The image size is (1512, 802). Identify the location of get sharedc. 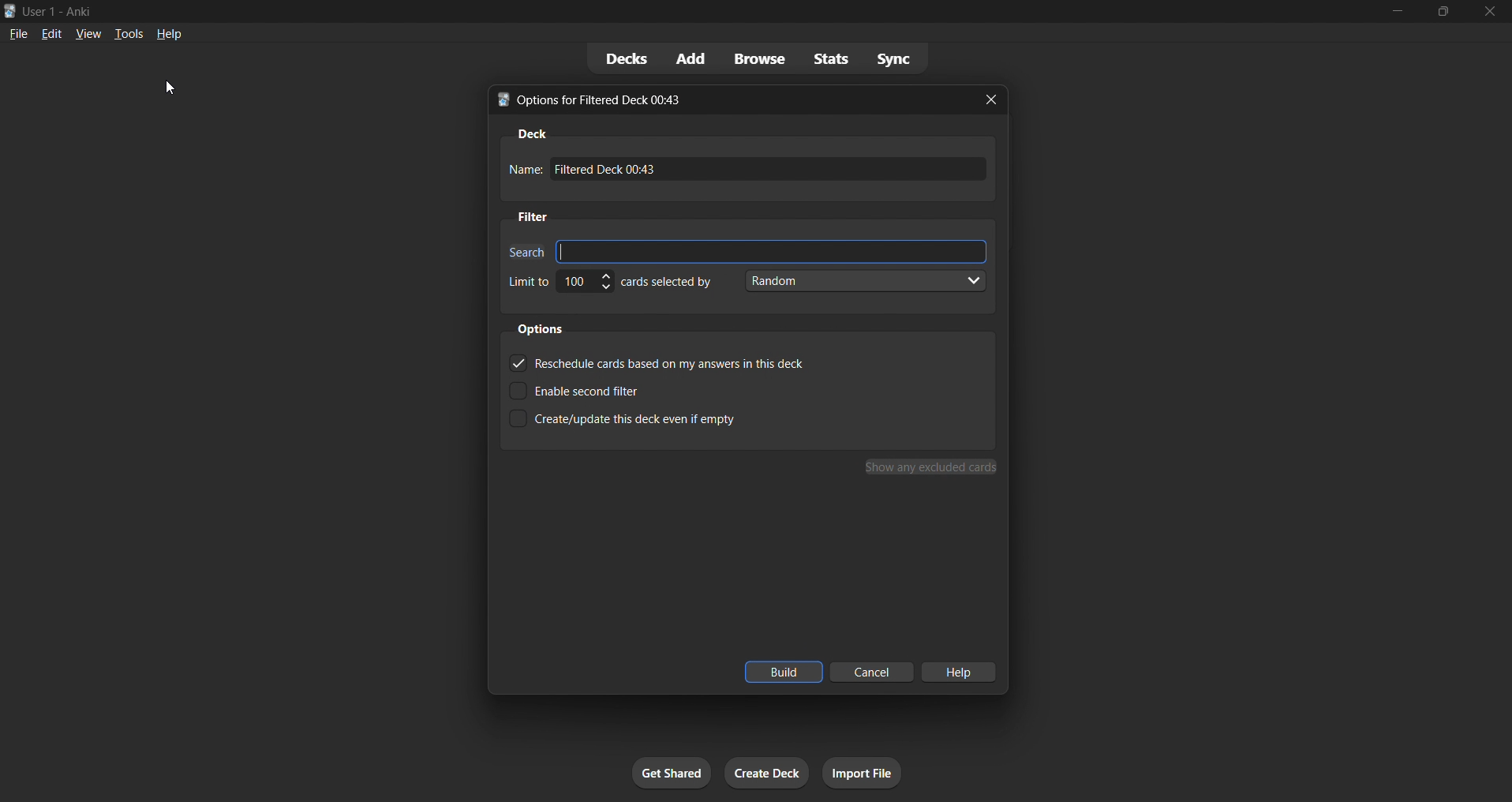
(669, 770).